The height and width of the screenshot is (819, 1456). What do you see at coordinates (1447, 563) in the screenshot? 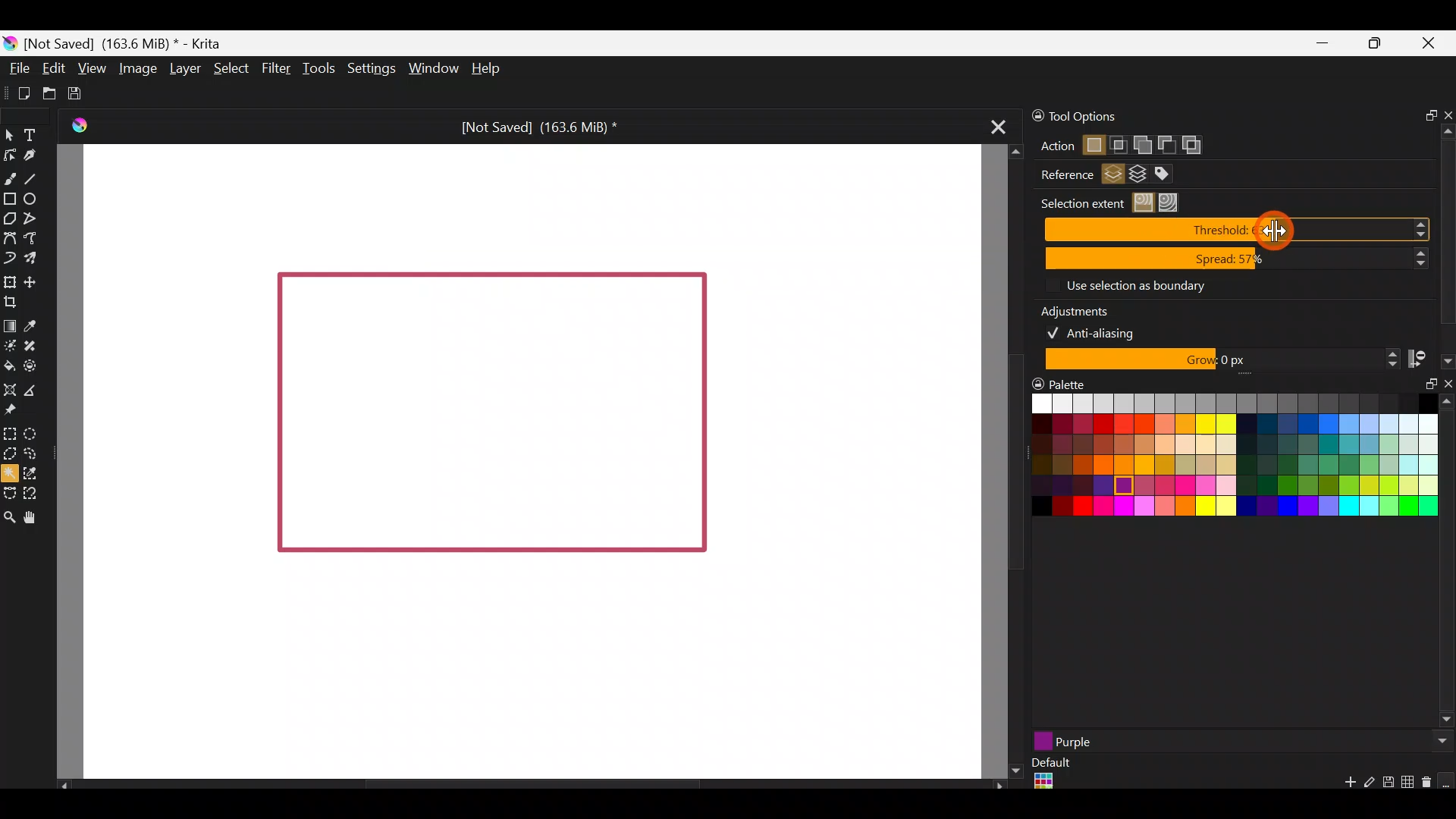
I see `Scroll bar` at bounding box center [1447, 563].